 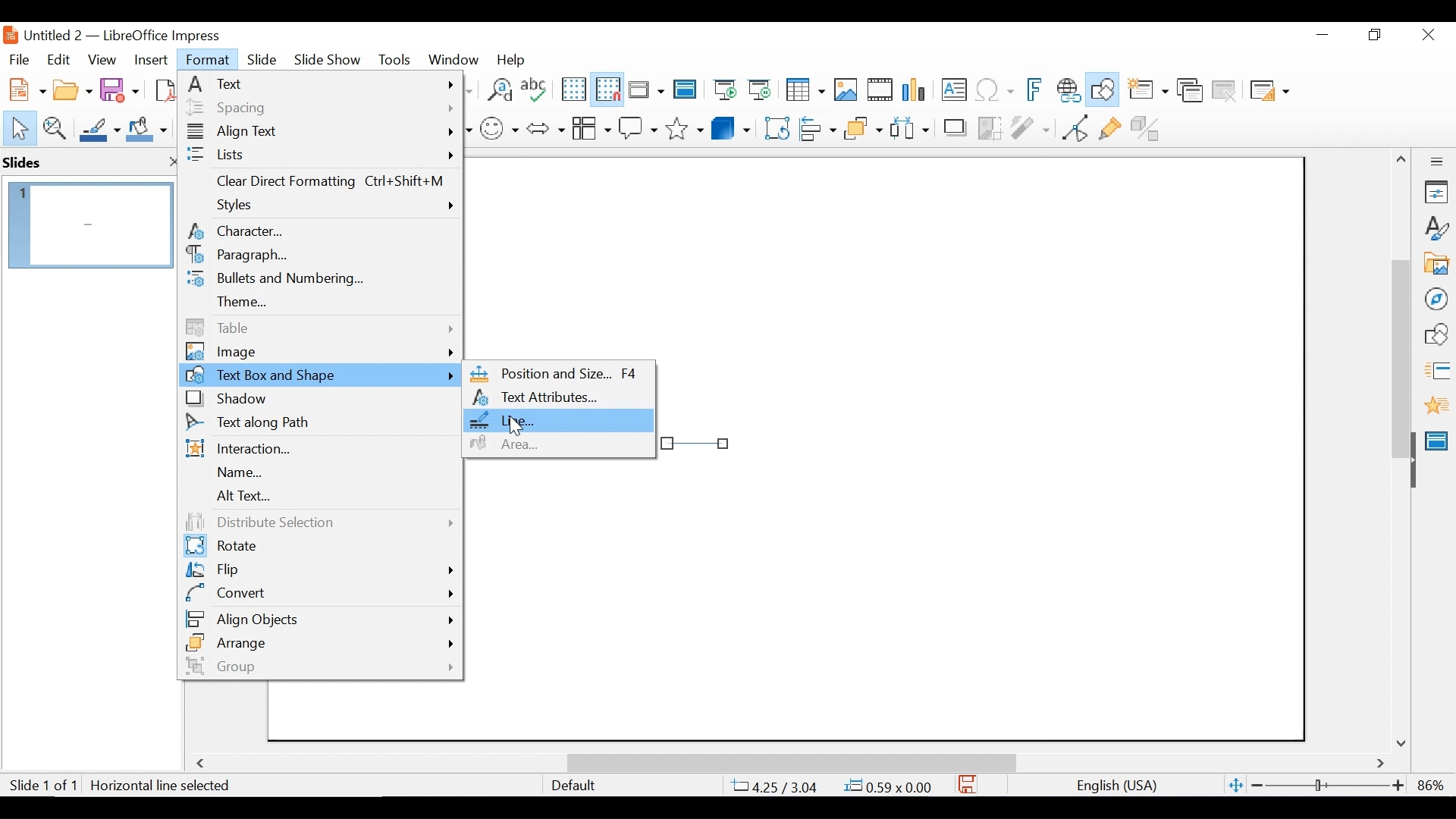 I want to click on Cursor, so click(x=519, y=428).